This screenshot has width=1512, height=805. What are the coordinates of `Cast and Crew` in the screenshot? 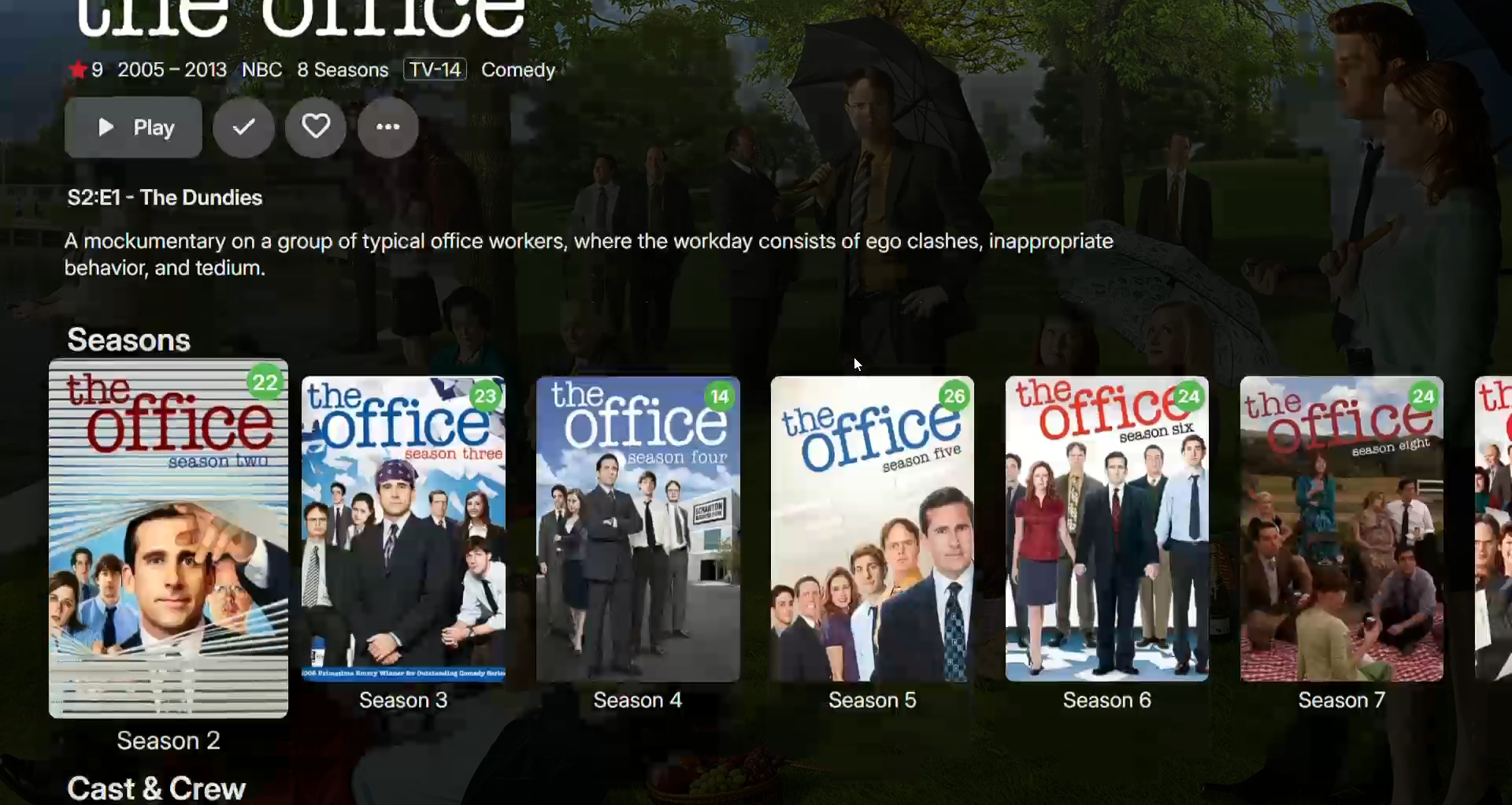 It's located at (162, 785).